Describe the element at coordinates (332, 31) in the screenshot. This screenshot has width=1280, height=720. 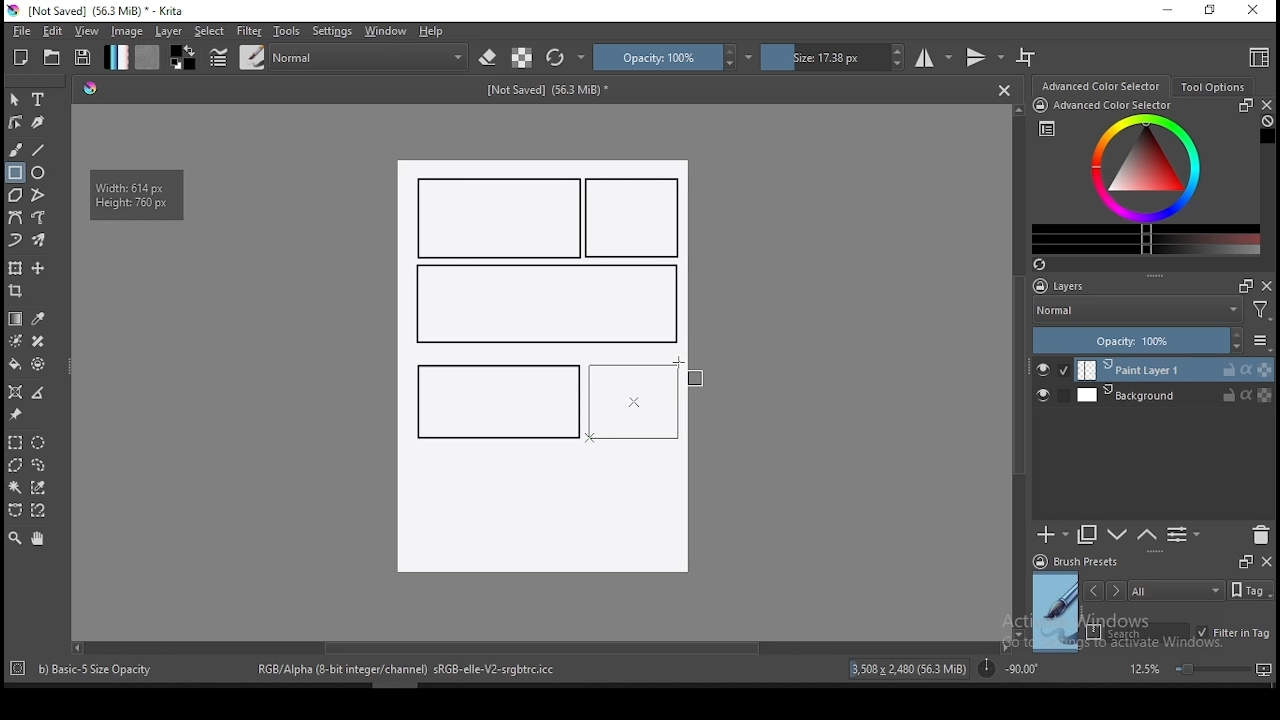
I see `settings` at that location.